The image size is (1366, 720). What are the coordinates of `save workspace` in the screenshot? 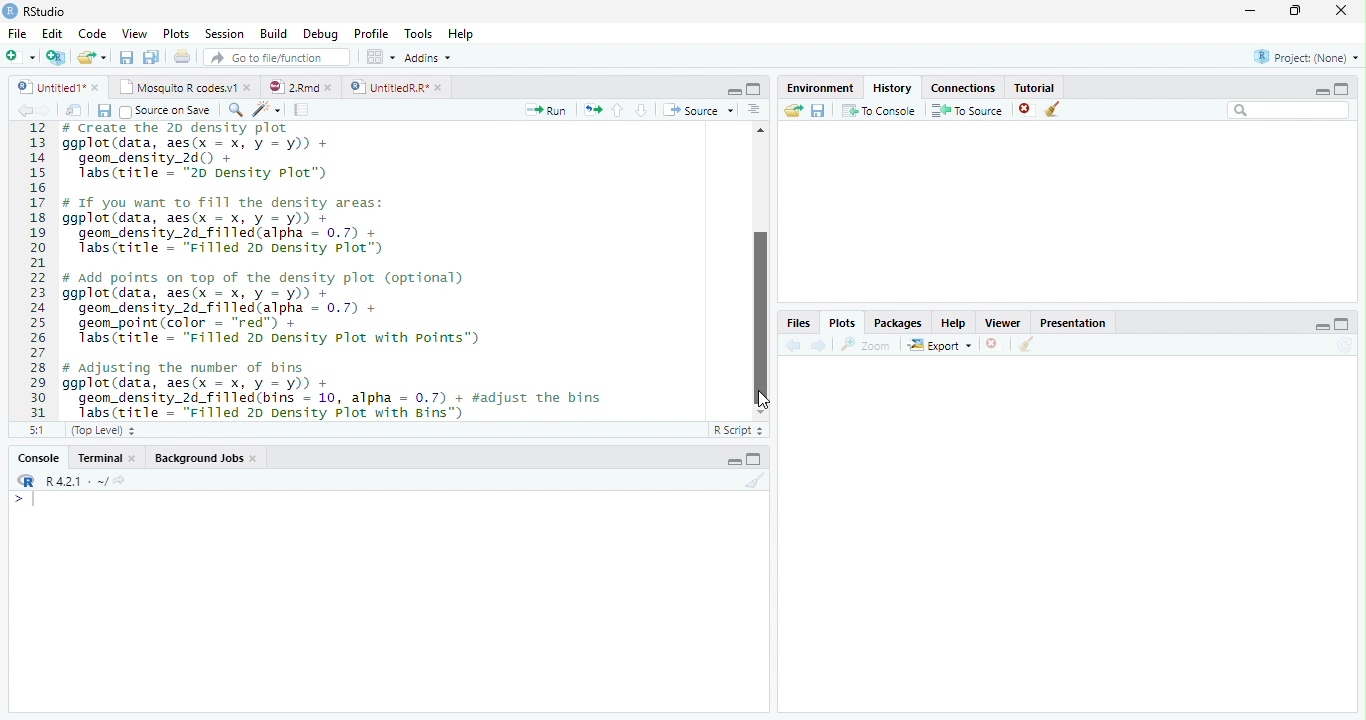 It's located at (820, 111).